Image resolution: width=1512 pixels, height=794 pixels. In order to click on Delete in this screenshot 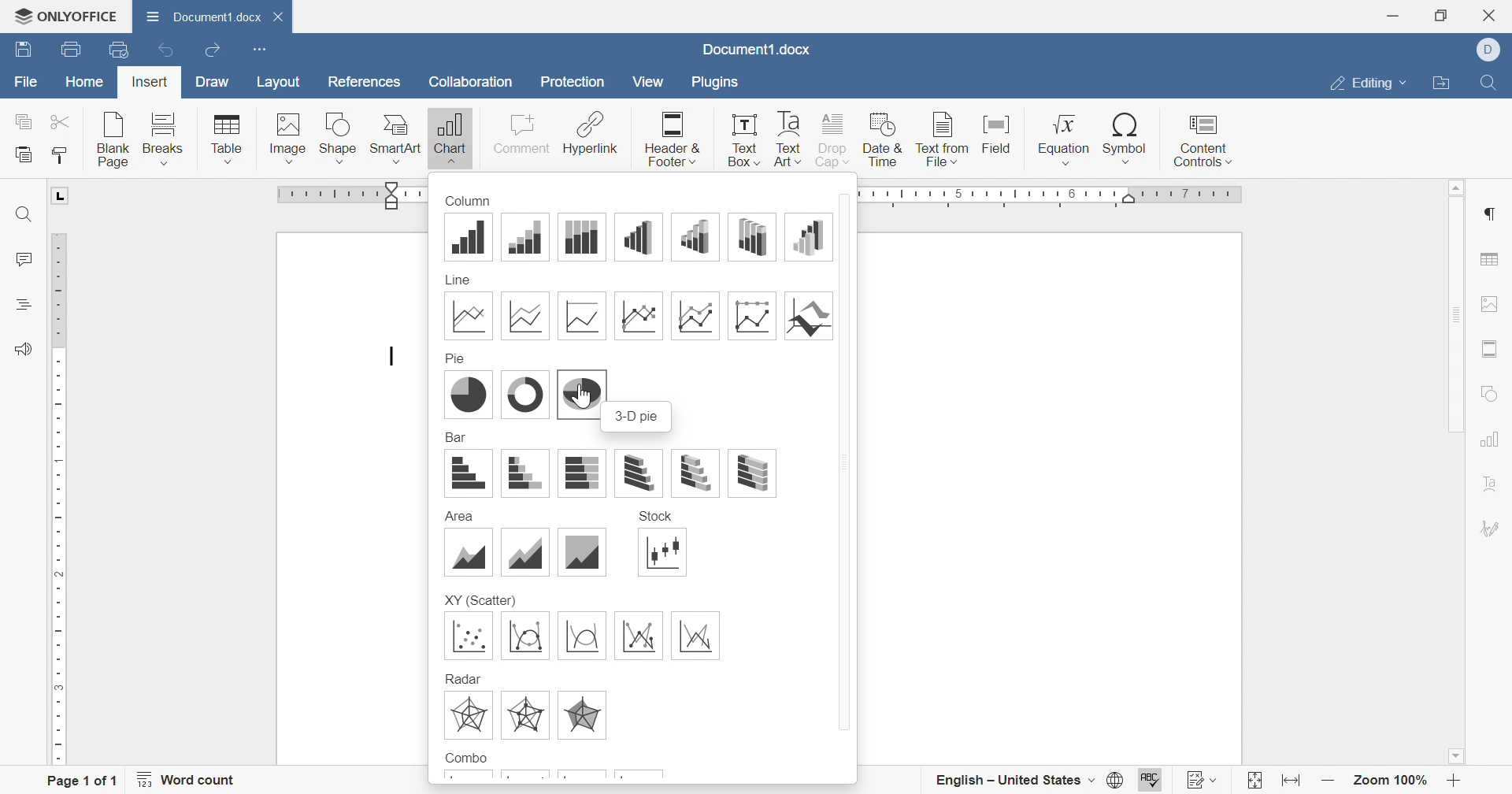, I will do `click(282, 20)`.